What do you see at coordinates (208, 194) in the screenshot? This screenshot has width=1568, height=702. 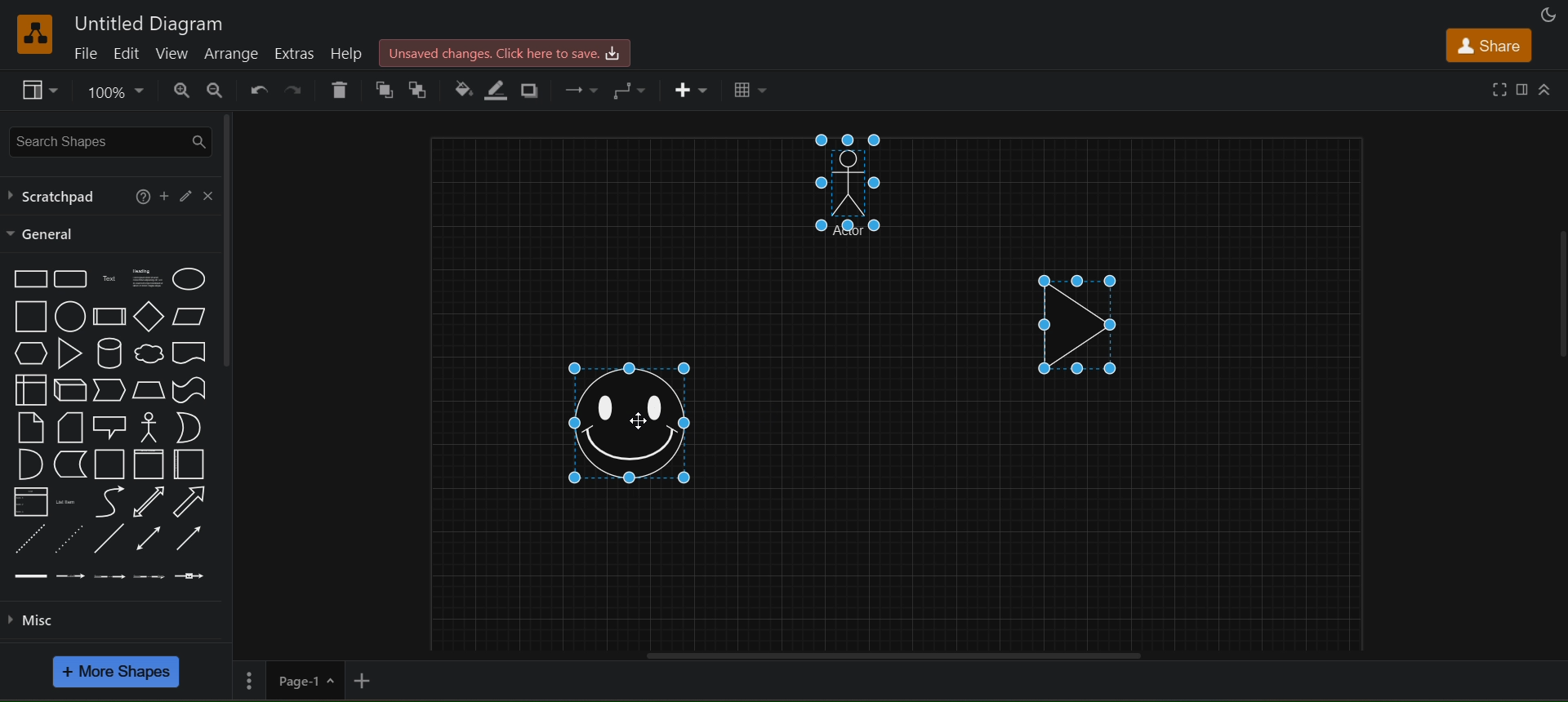 I see `close` at bounding box center [208, 194].